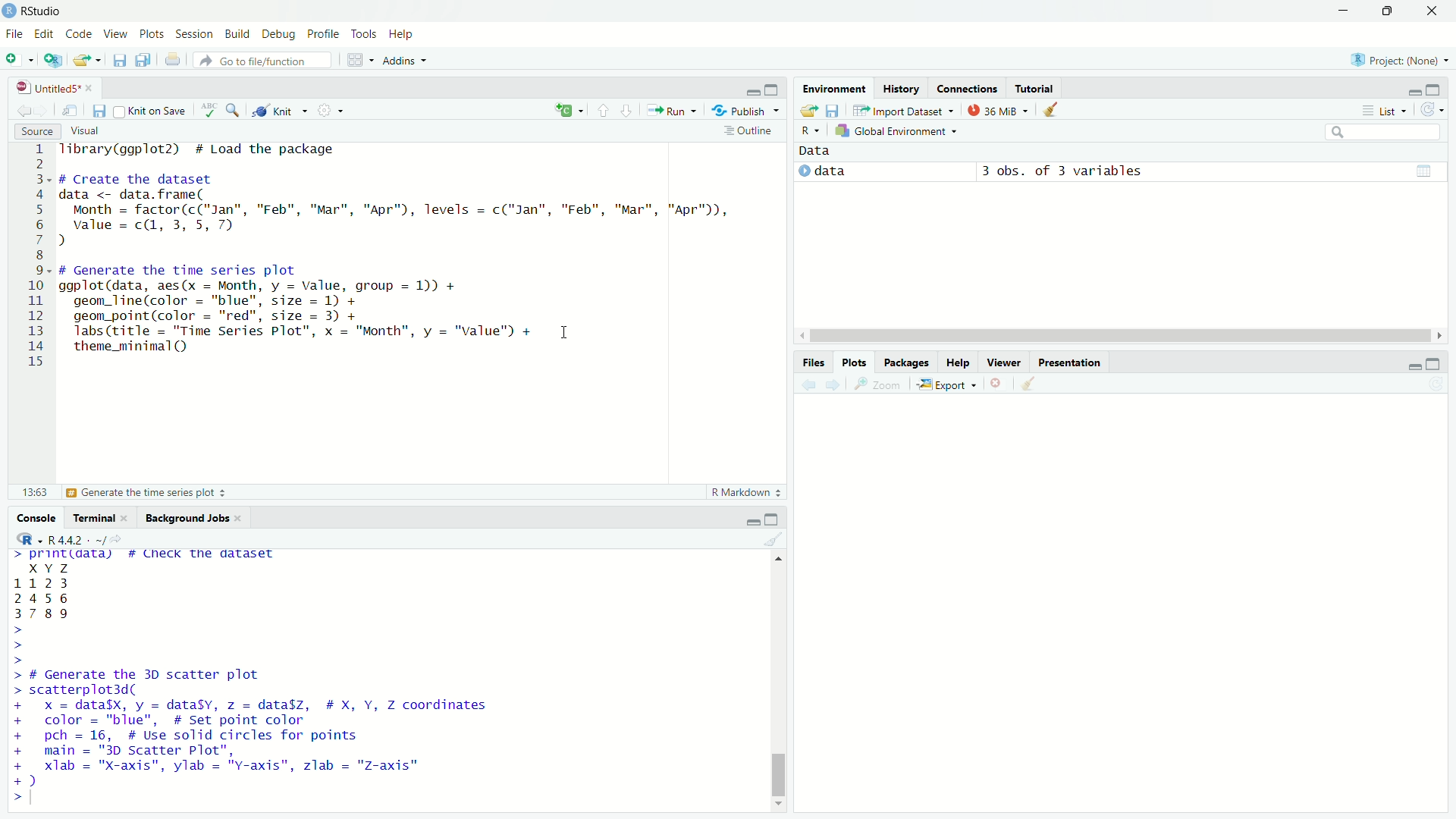  I want to click on knit on save, so click(150, 111).